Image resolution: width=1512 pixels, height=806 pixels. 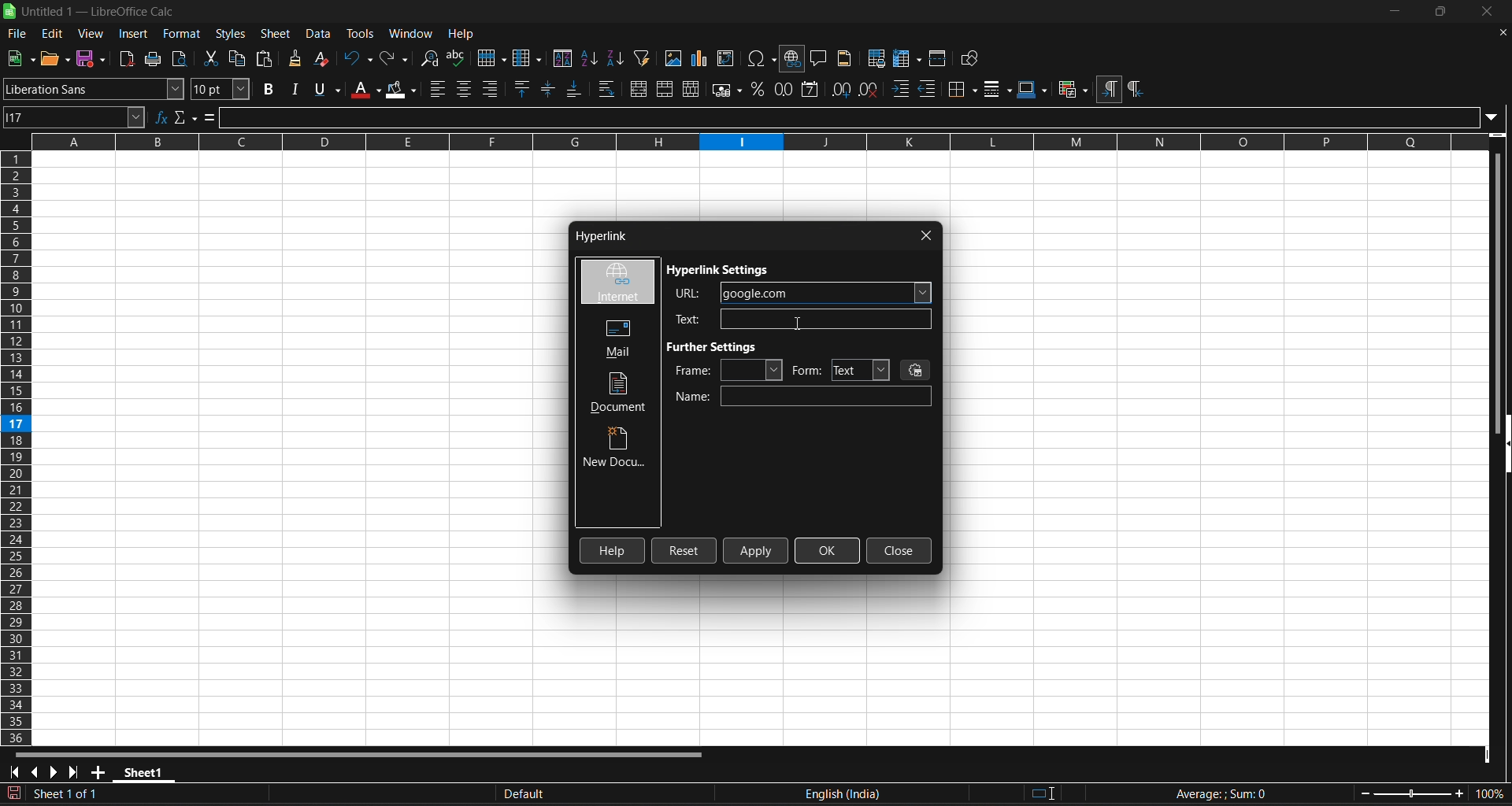 What do you see at coordinates (665, 89) in the screenshot?
I see `merge cells` at bounding box center [665, 89].